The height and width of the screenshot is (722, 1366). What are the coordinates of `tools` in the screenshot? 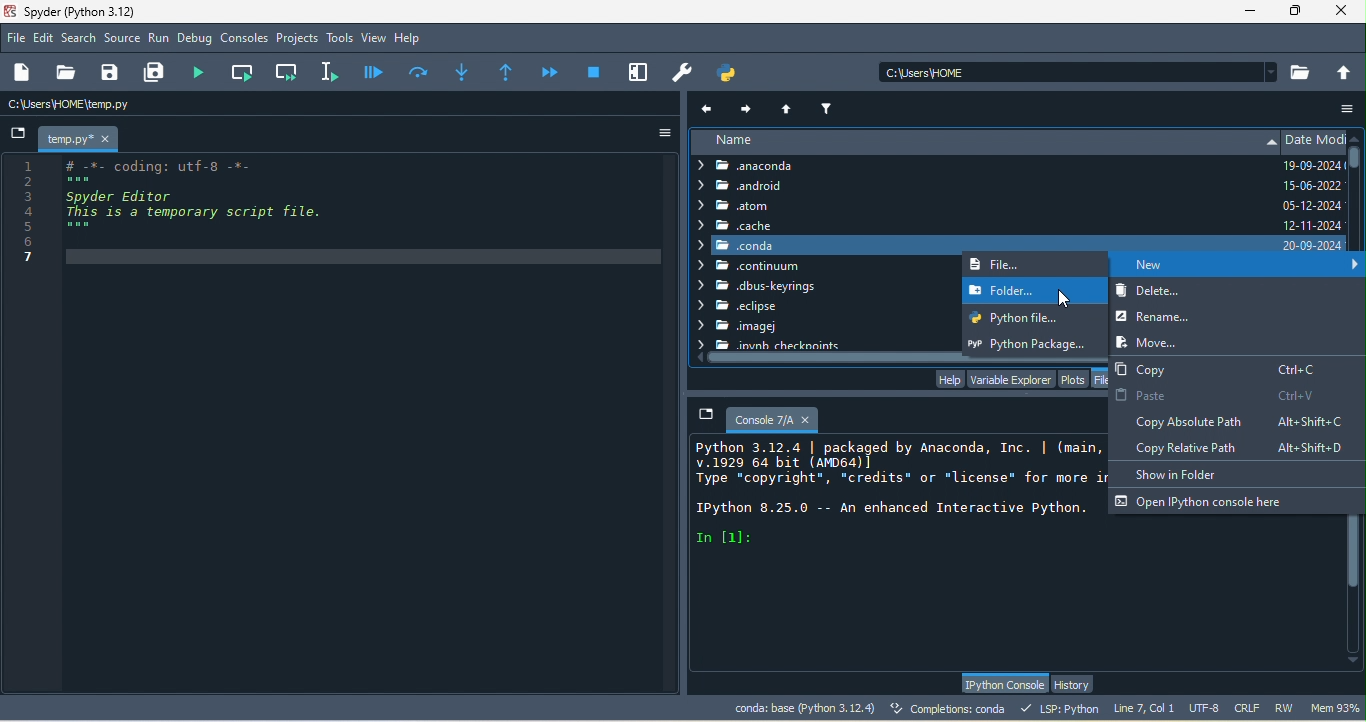 It's located at (340, 39).